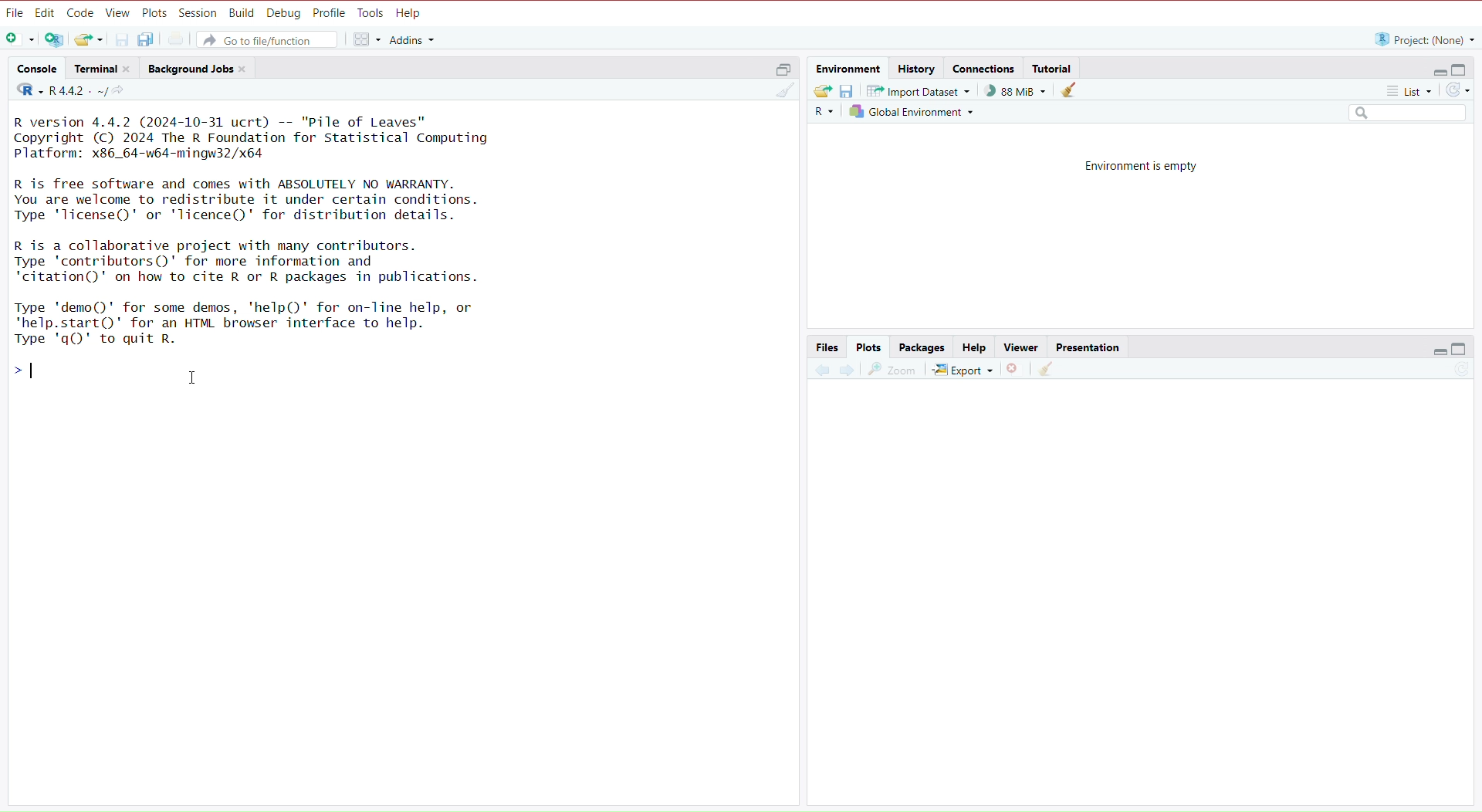 Image resolution: width=1482 pixels, height=812 pixels. I want to click on Addins, so click(411, 41).